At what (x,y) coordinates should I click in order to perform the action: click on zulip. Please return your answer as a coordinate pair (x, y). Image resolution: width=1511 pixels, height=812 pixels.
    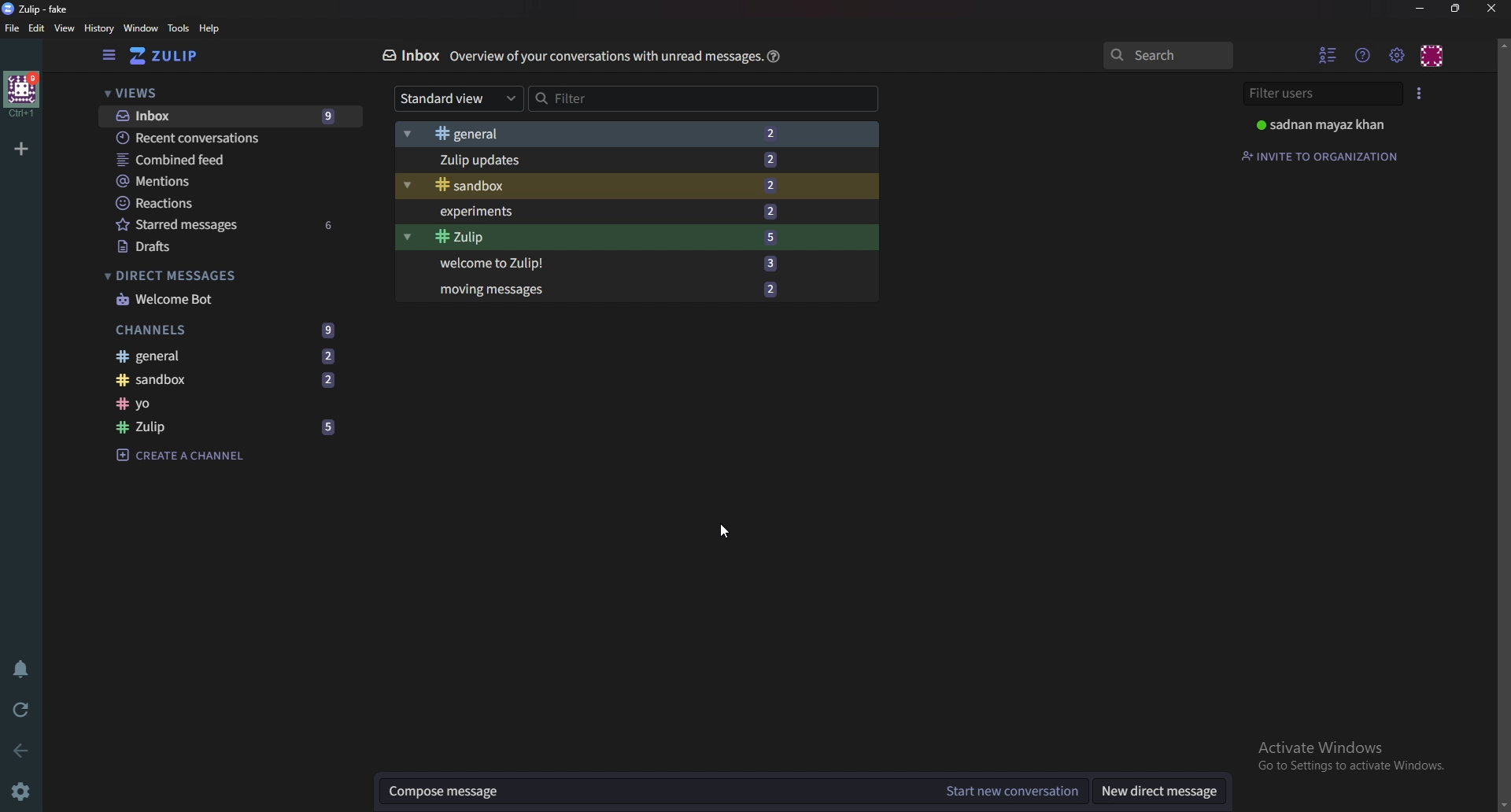
    Looking at the image, I should click on (39, 10).